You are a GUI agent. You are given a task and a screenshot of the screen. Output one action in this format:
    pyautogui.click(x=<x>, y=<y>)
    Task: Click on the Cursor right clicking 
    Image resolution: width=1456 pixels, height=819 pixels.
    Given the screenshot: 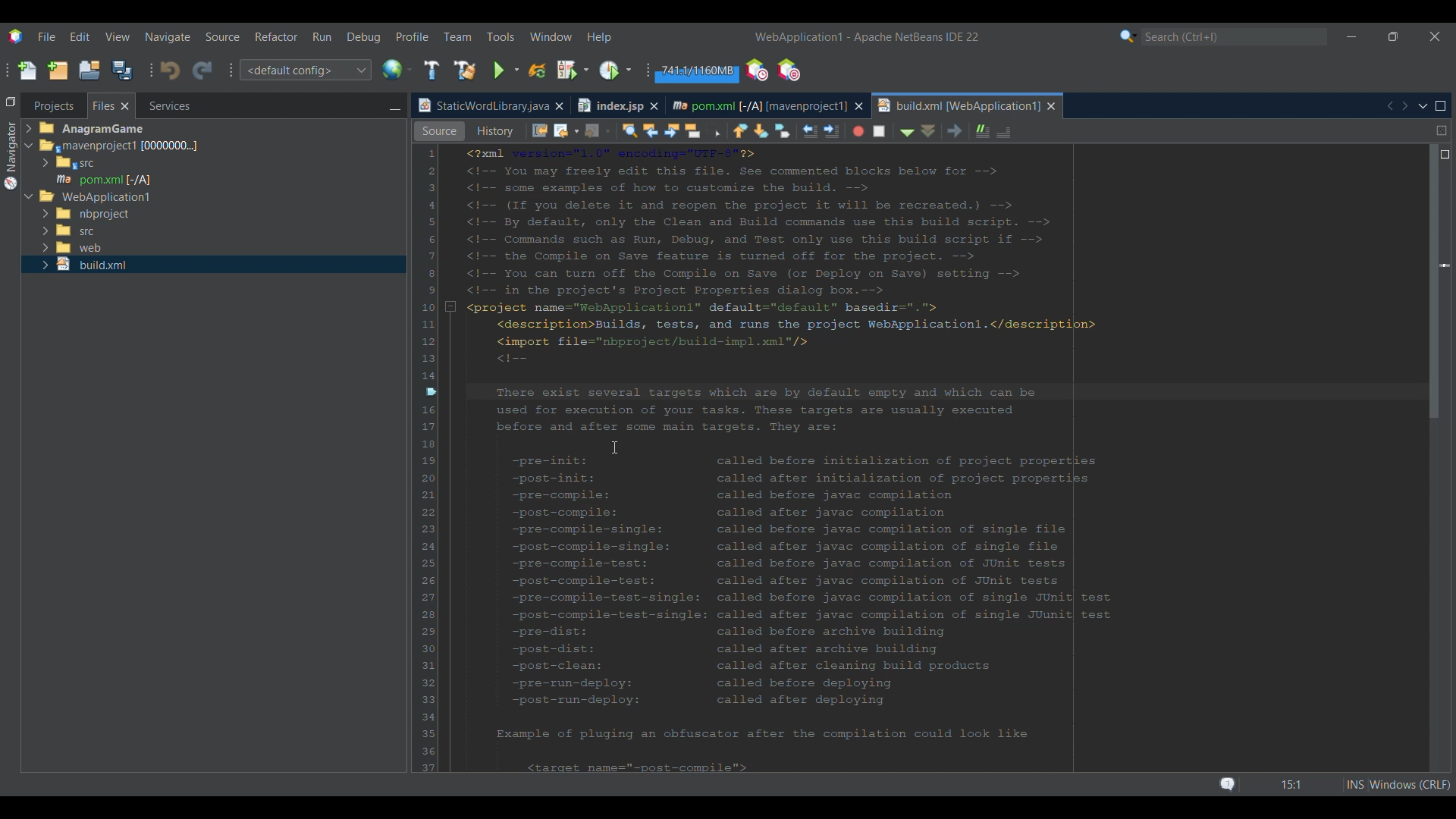 What is the action you would take?
    pyautogui.click(x=436, y=231)
    